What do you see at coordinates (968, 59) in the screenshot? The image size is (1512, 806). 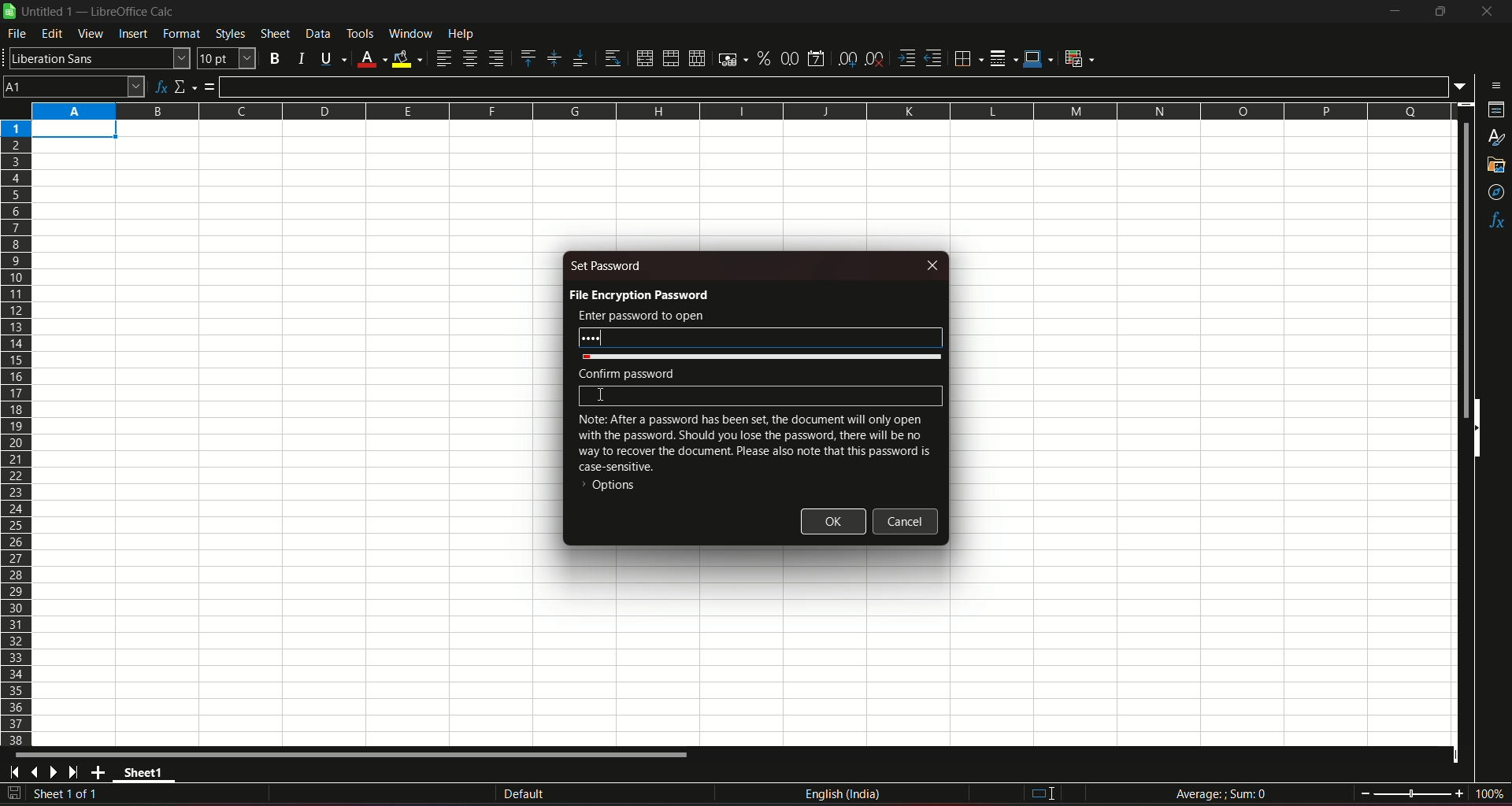 I see `borders` at bounding box center [968, 59].